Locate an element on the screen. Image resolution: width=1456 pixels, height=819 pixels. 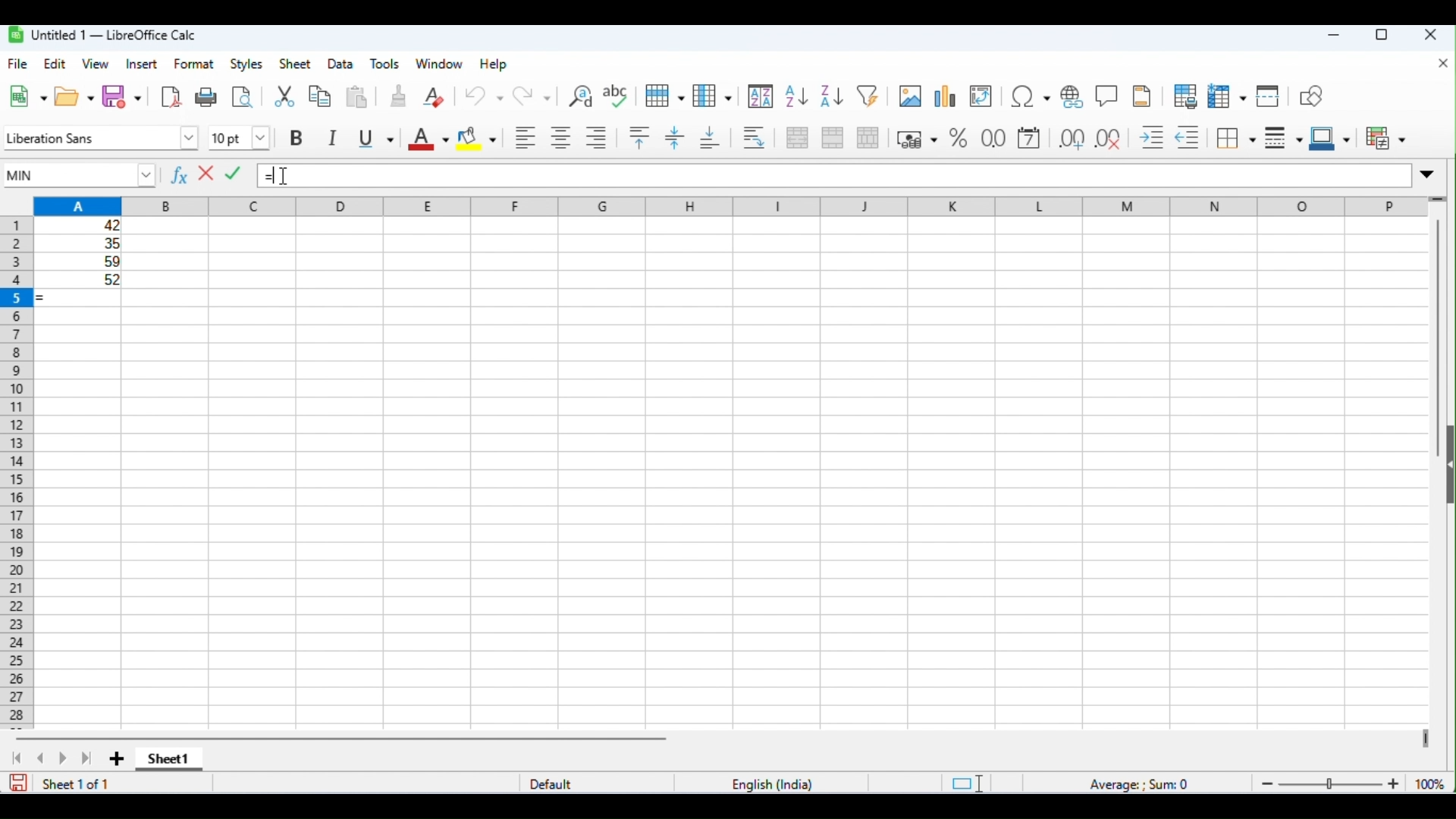
save is located at coordinates (17, 783).